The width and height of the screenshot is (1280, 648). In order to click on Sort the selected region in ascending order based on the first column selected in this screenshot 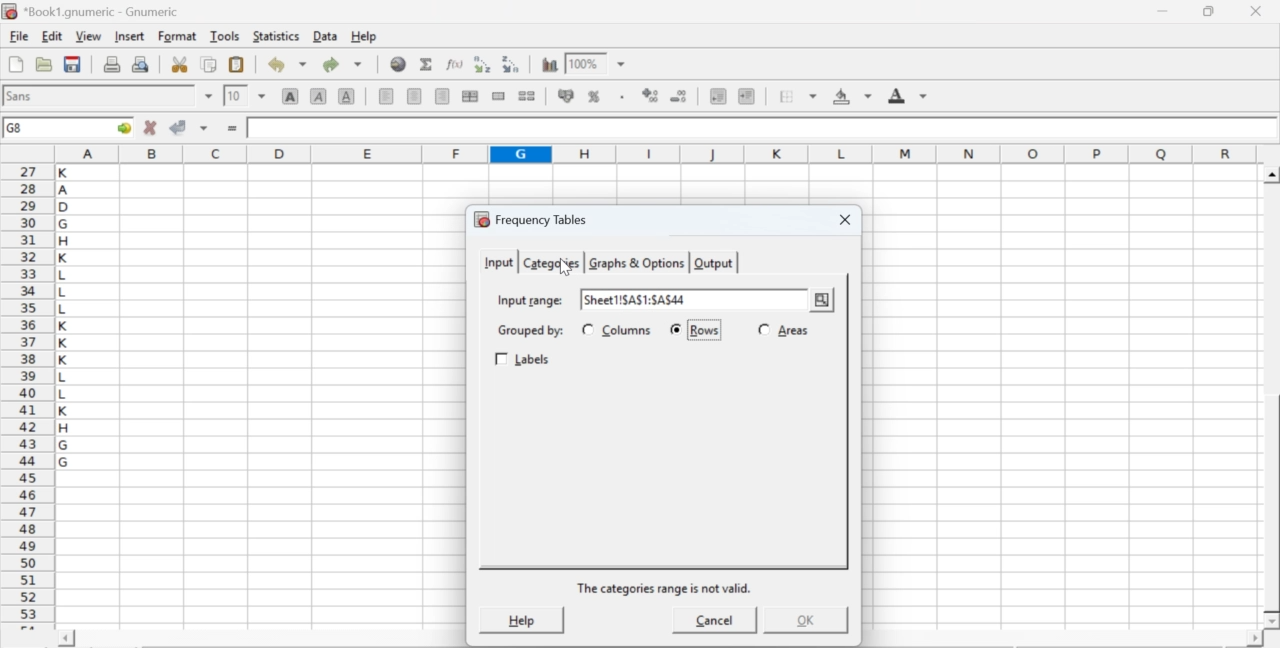, I will do `click(485, 64)`.